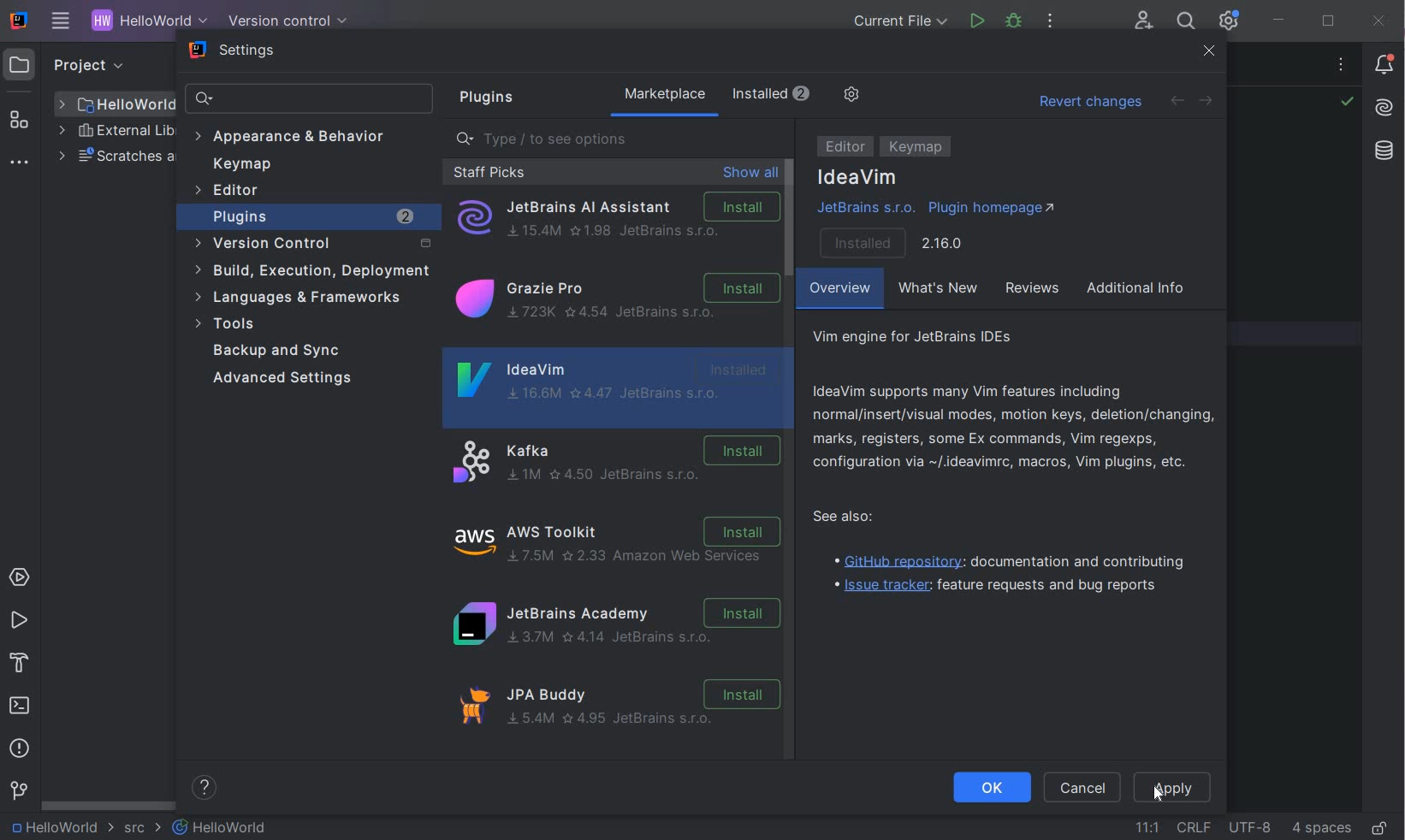 This screenshot has width=1405, height=840. What do you see at coordinates (1051, 25) in the screenshot?
I see `MORE ACTIONS` at bounding box center [1051, 25].